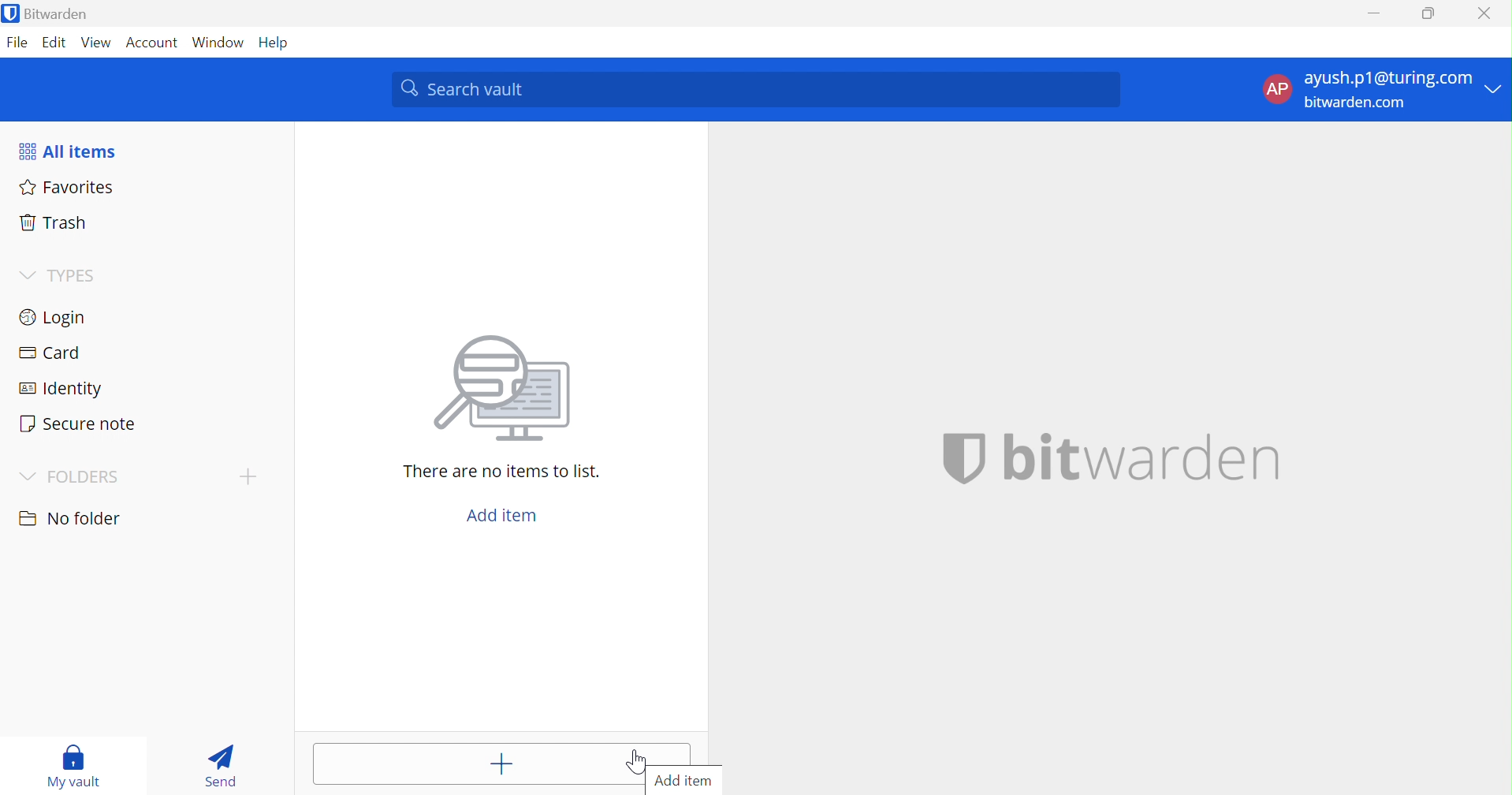 This screenshot has height=795, width=1512. Describe the element at coordinates (75, 275) in the screenshot. I see `TYPES` at that location.